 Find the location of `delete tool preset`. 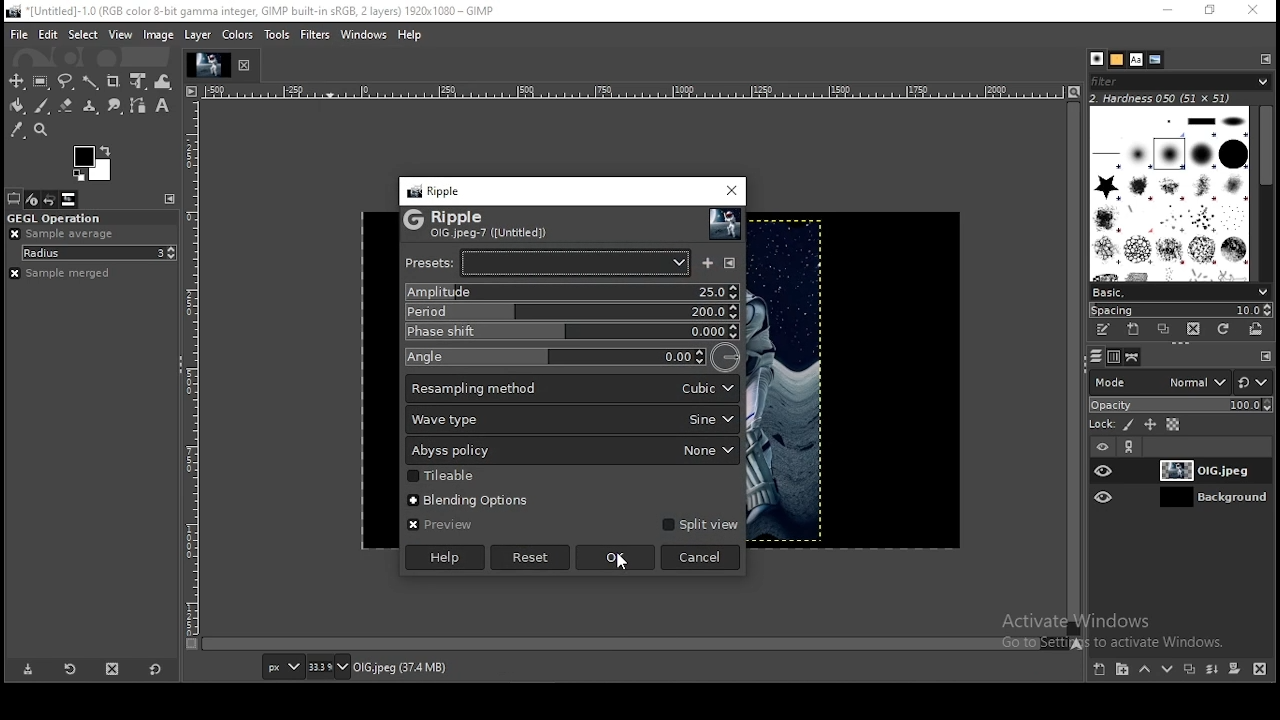

delete tool preset is located at coordinates (110, 672).